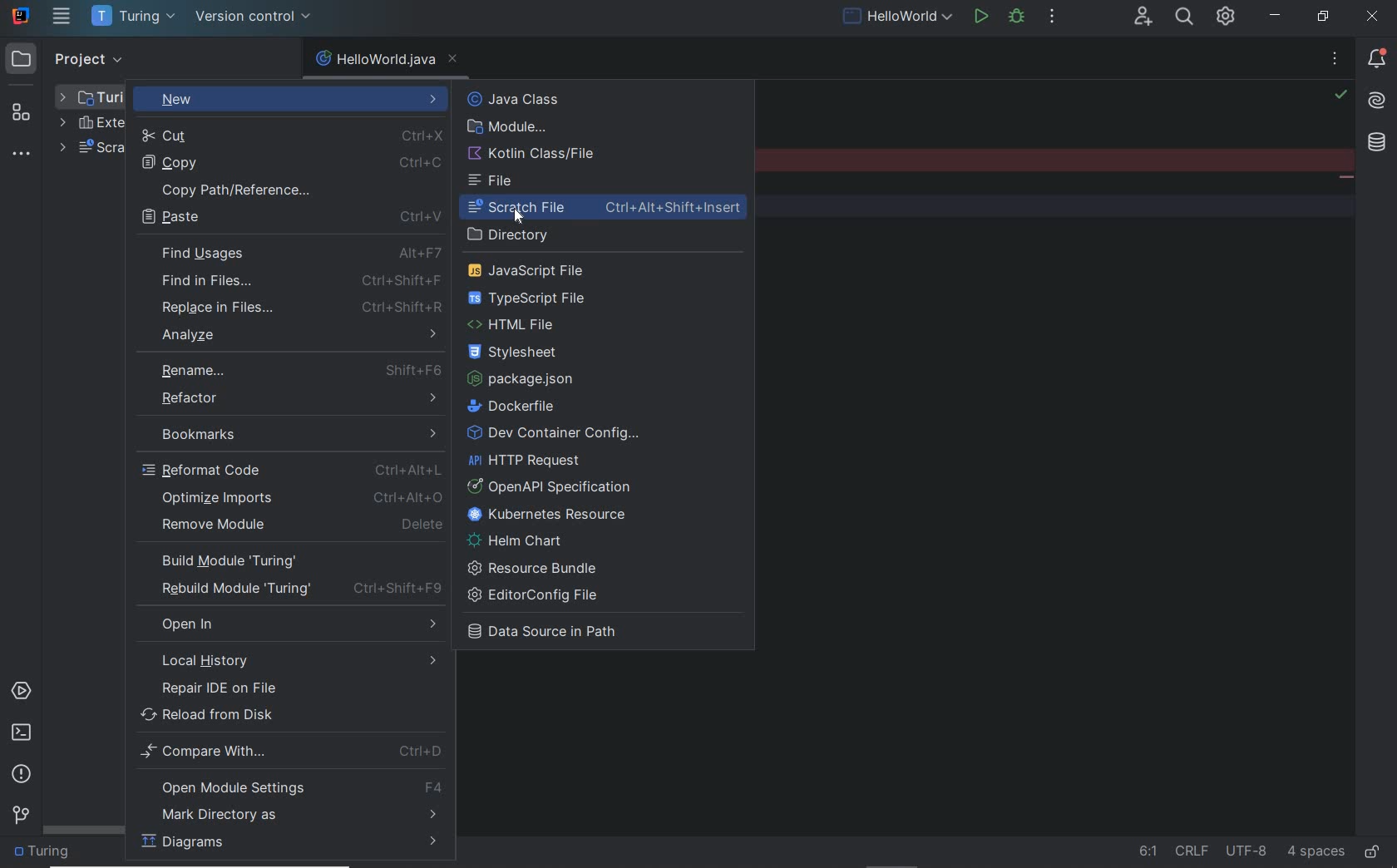 The image size is (1397, 868). Describe the element at coordinates (91, 150) in the screenshot. I see `scratches and consoles` at that location.